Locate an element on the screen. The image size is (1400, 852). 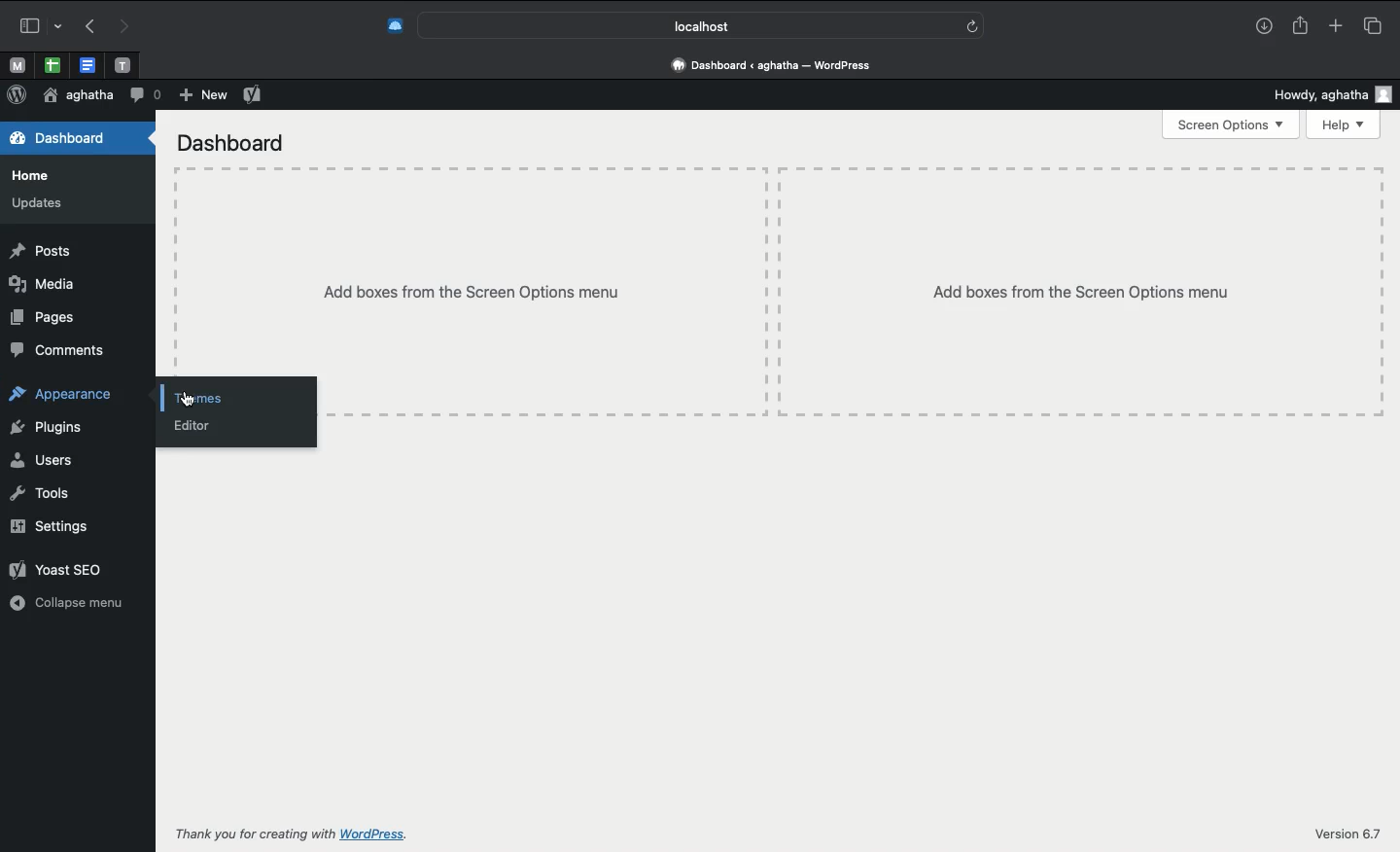
Logo is located at coordinates (14, 95).